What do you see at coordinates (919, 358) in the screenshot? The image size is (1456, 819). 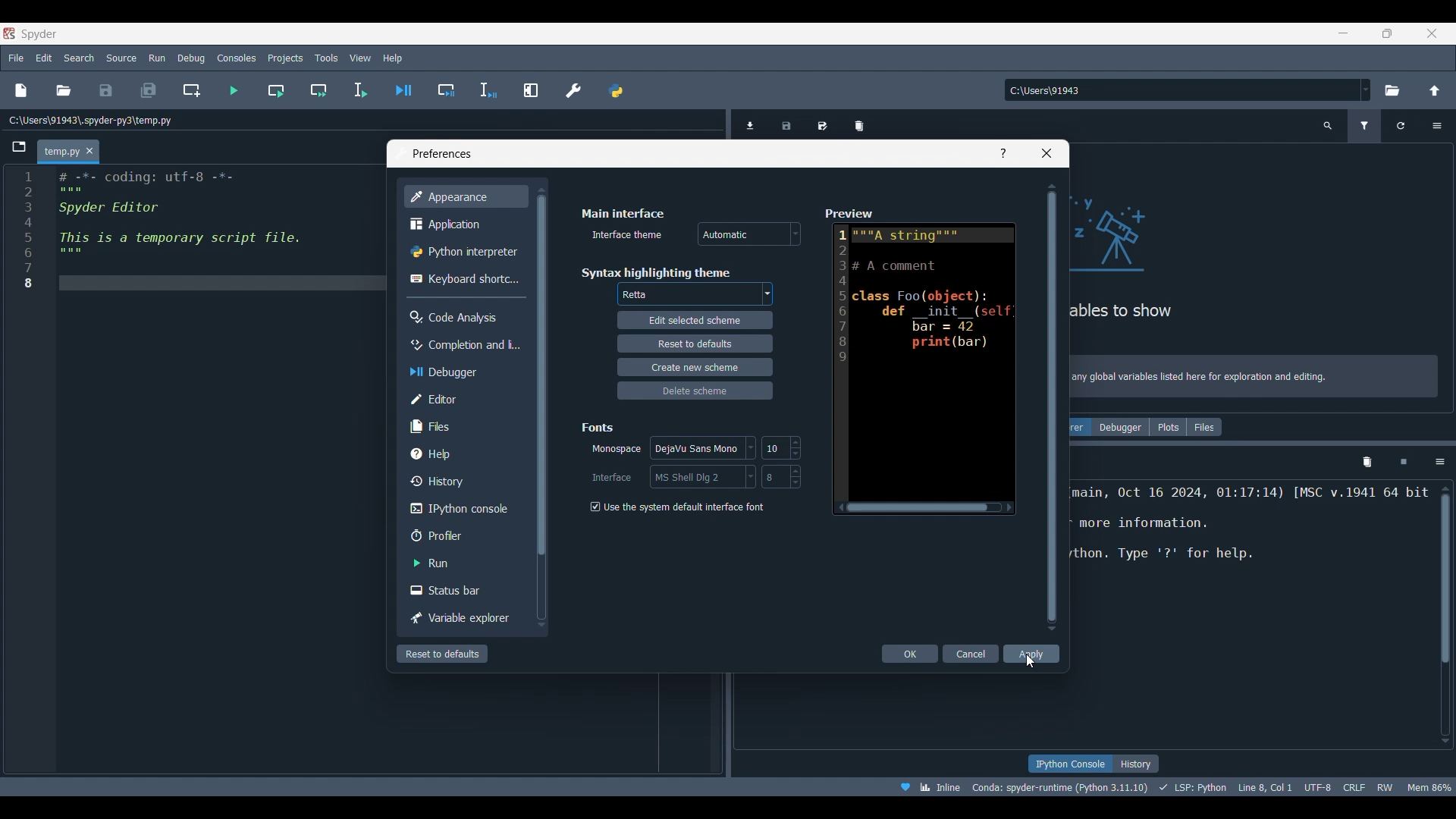 I see `Preview` at bounding box center [919, 358].